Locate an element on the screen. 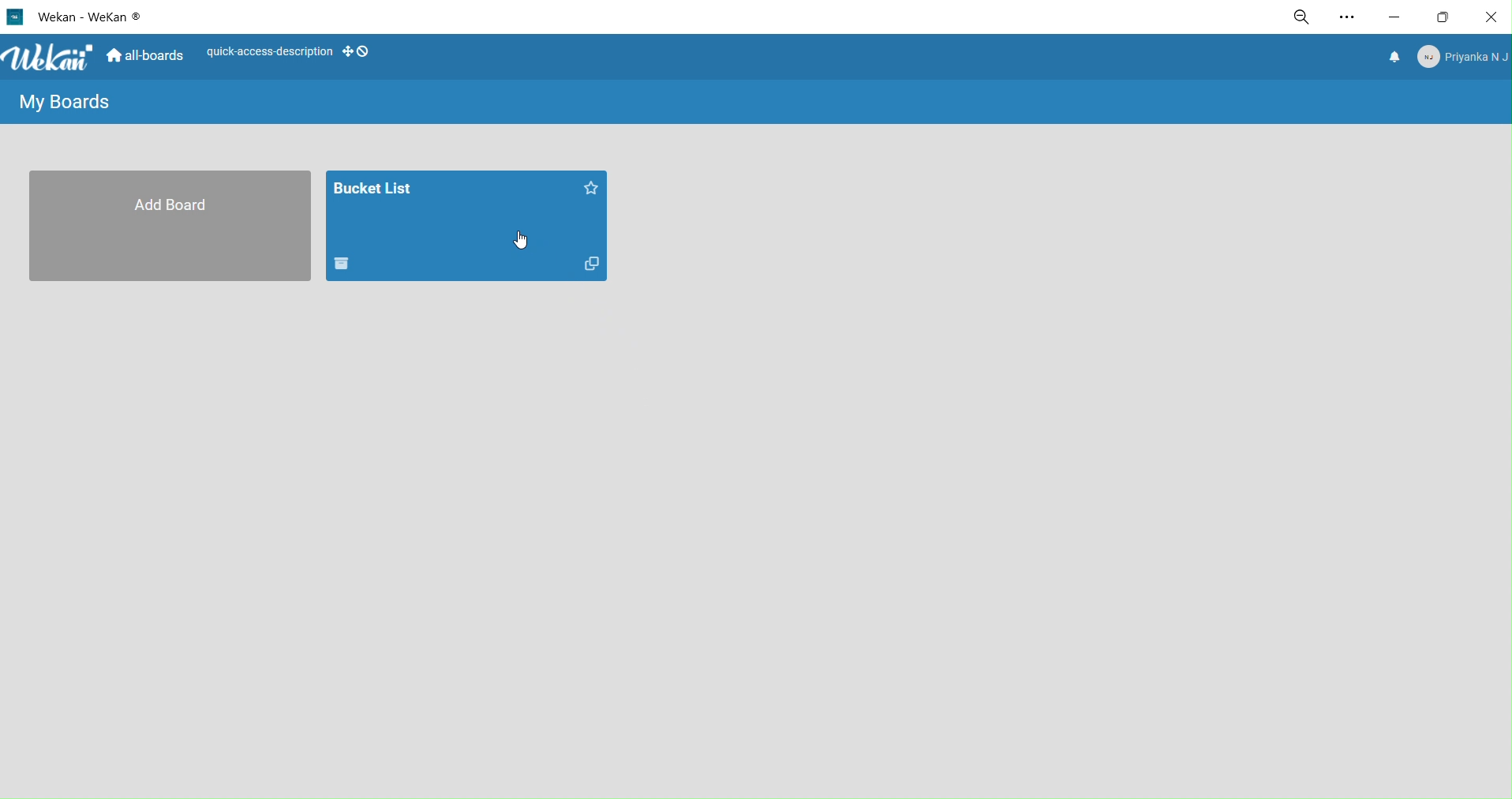 The image size is (1512, 799). duplicate board is located at coordinates (593, 265).